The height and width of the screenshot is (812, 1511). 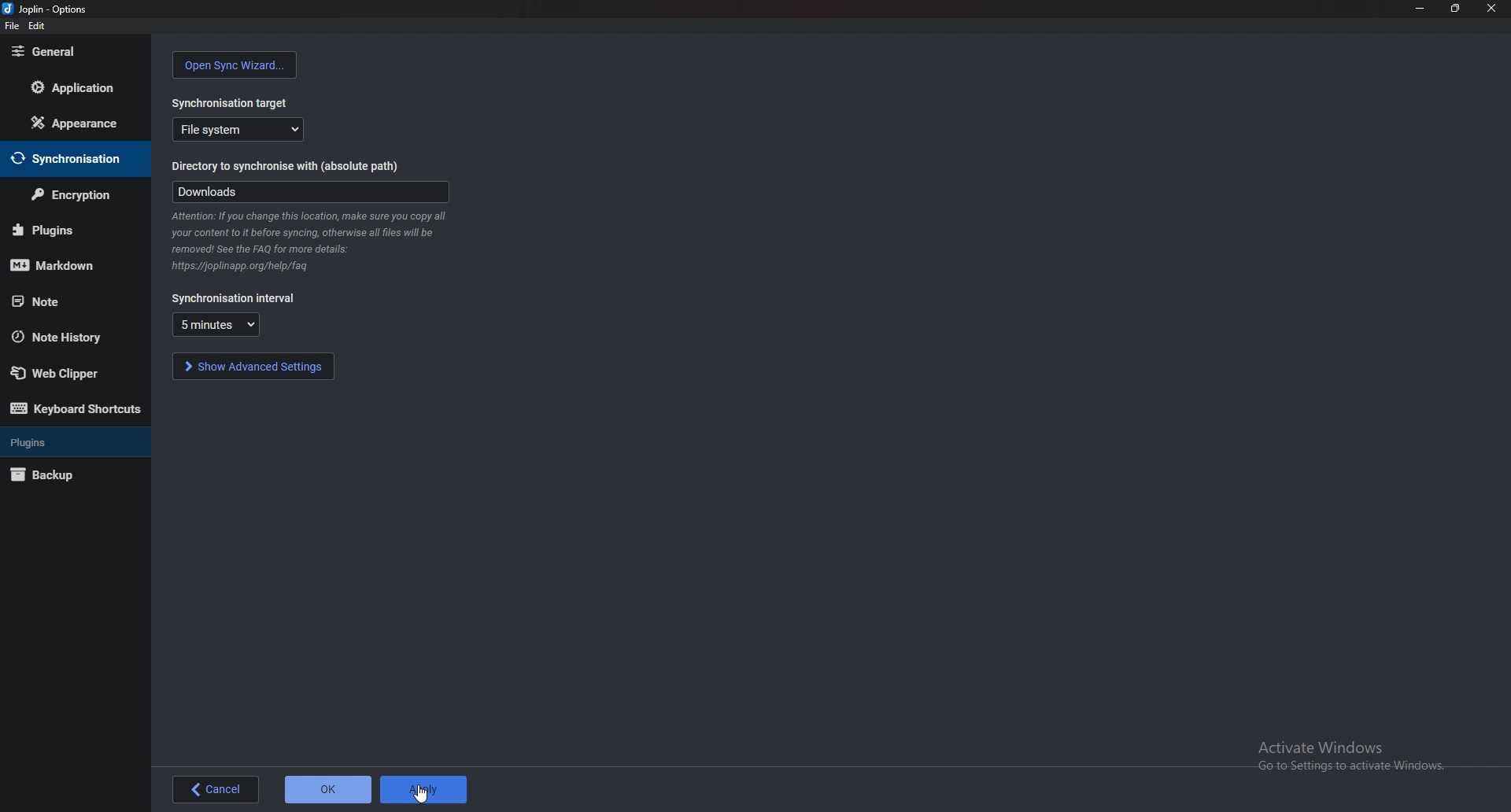 What do you see at coordinates (1420, 9) in the screenshot?
I see `Minimize` at bounding box center [1420, 9].